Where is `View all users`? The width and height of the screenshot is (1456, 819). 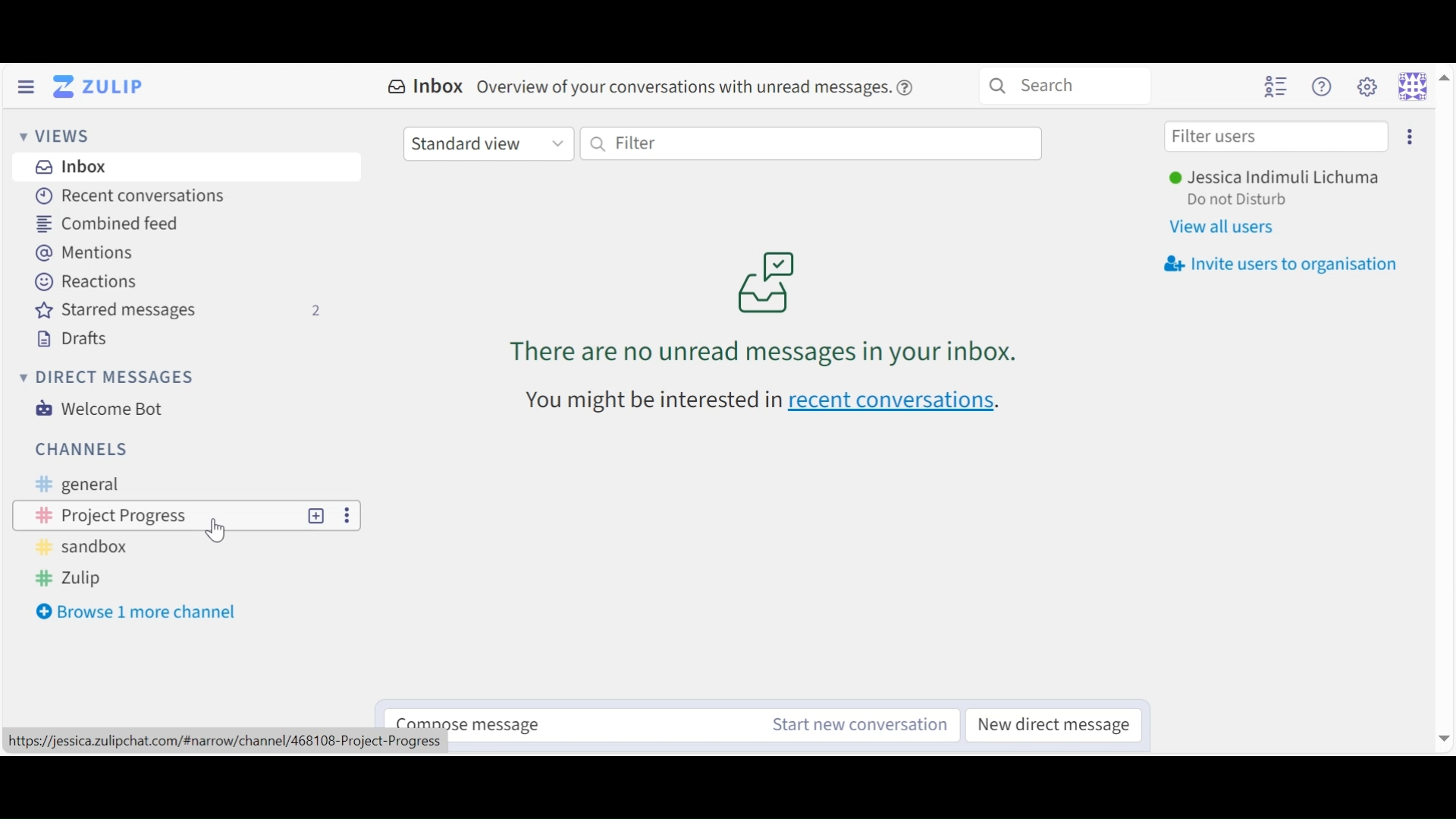 View all users is located at coordinates (1228, 229).